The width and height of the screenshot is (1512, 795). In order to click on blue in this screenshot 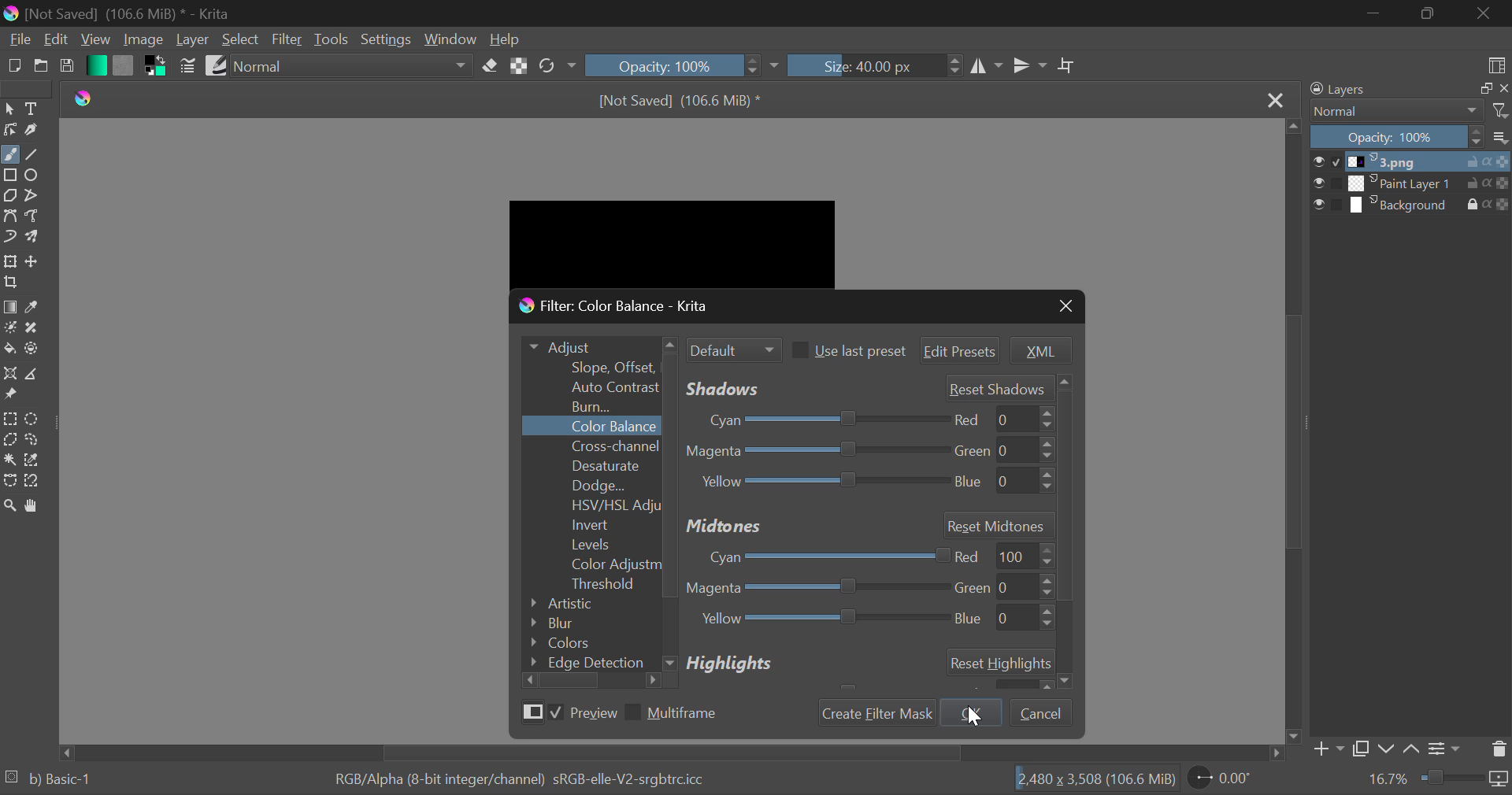, I will do `click(1002, 620)`.